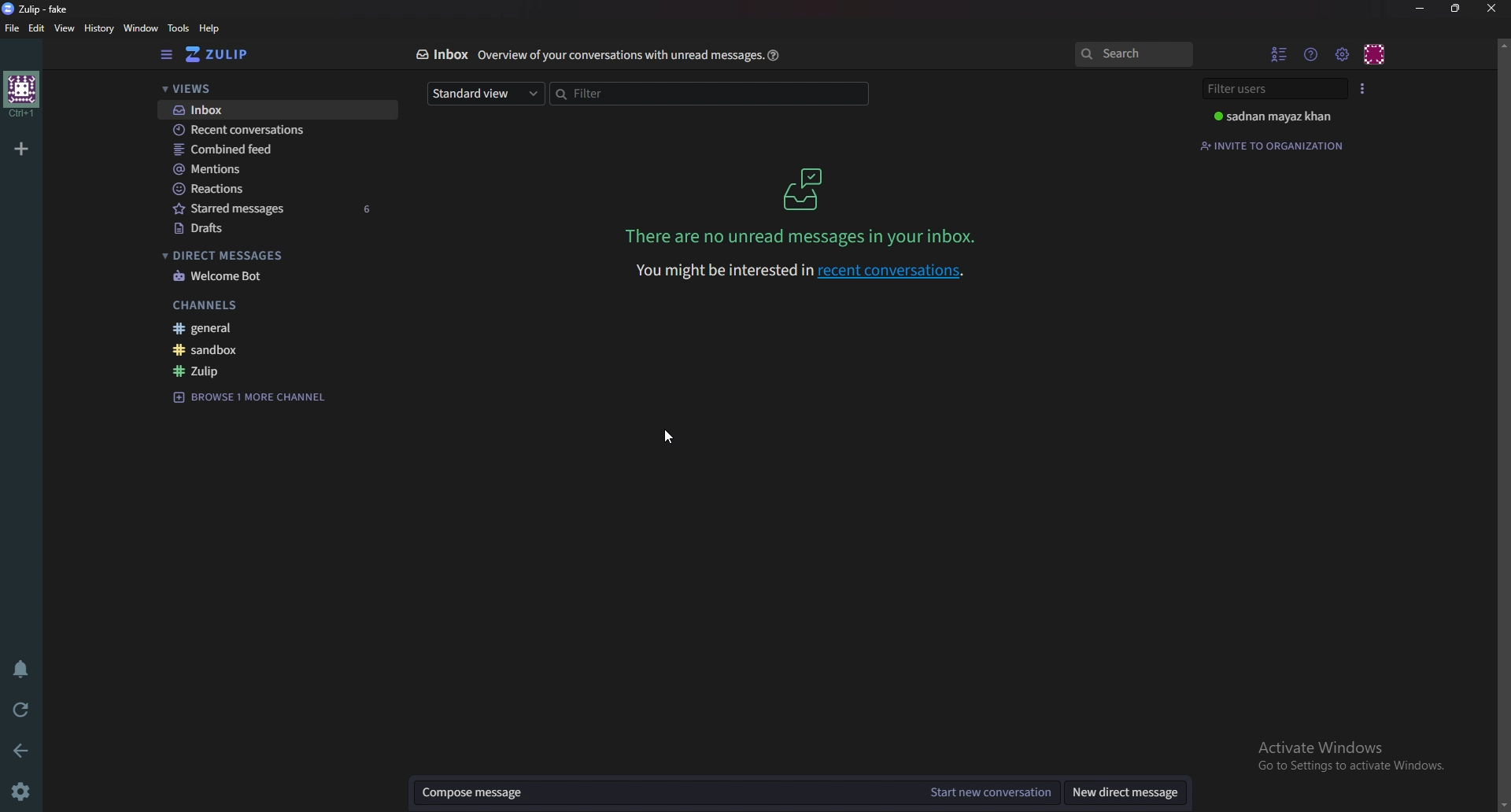 This screenshot has width=1511, height=812. What do you see at coordinates (1276, 87) in the screenshot?
I see `Filter users` at bounding box center [1276, 87].